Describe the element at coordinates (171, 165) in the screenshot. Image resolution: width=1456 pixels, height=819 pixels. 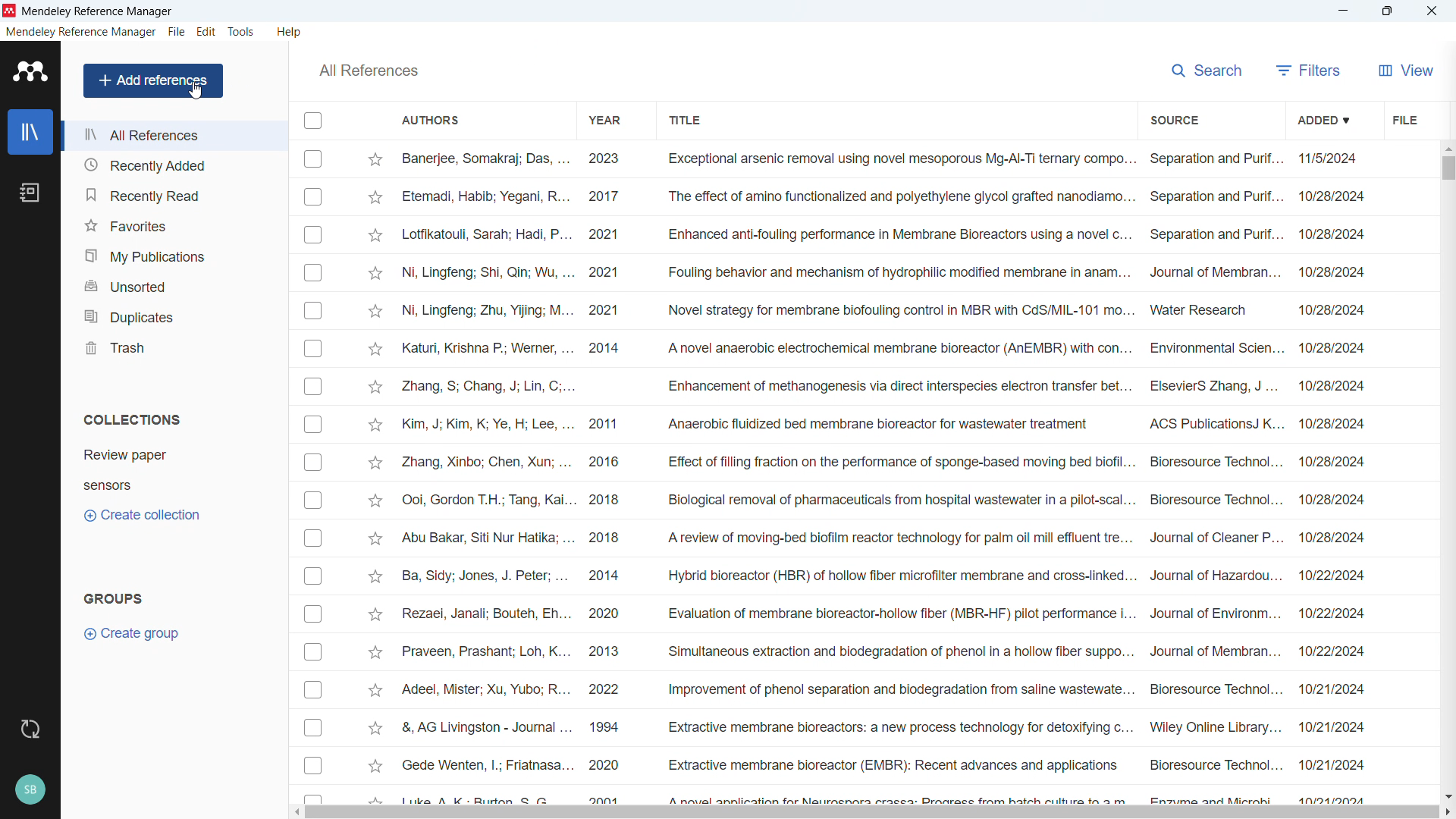
I see `Recently added ` at that location.